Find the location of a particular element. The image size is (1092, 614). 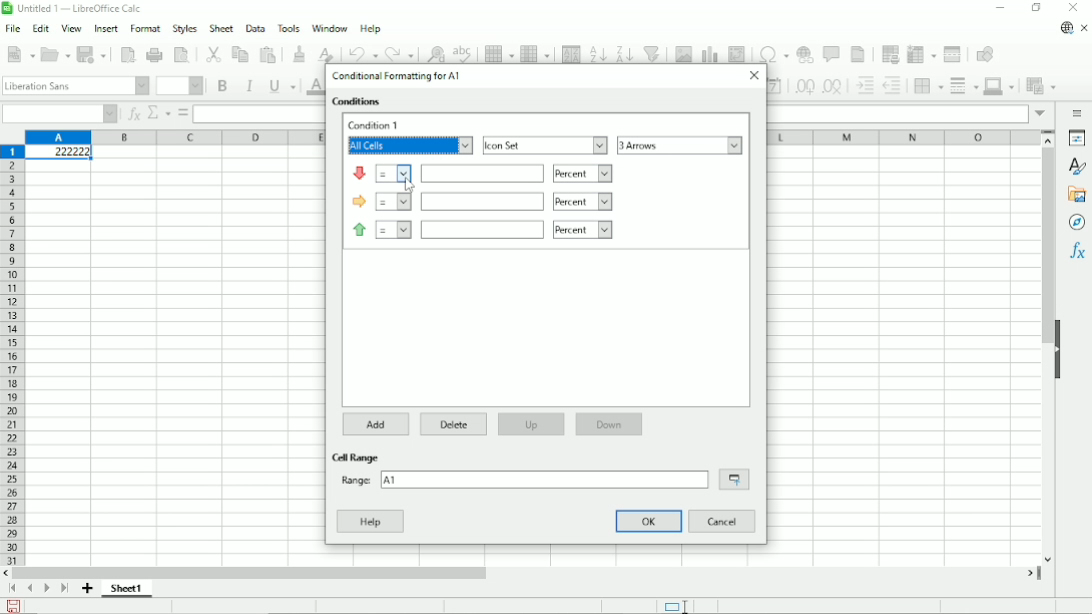

Add is located at coordinates (378, 424).